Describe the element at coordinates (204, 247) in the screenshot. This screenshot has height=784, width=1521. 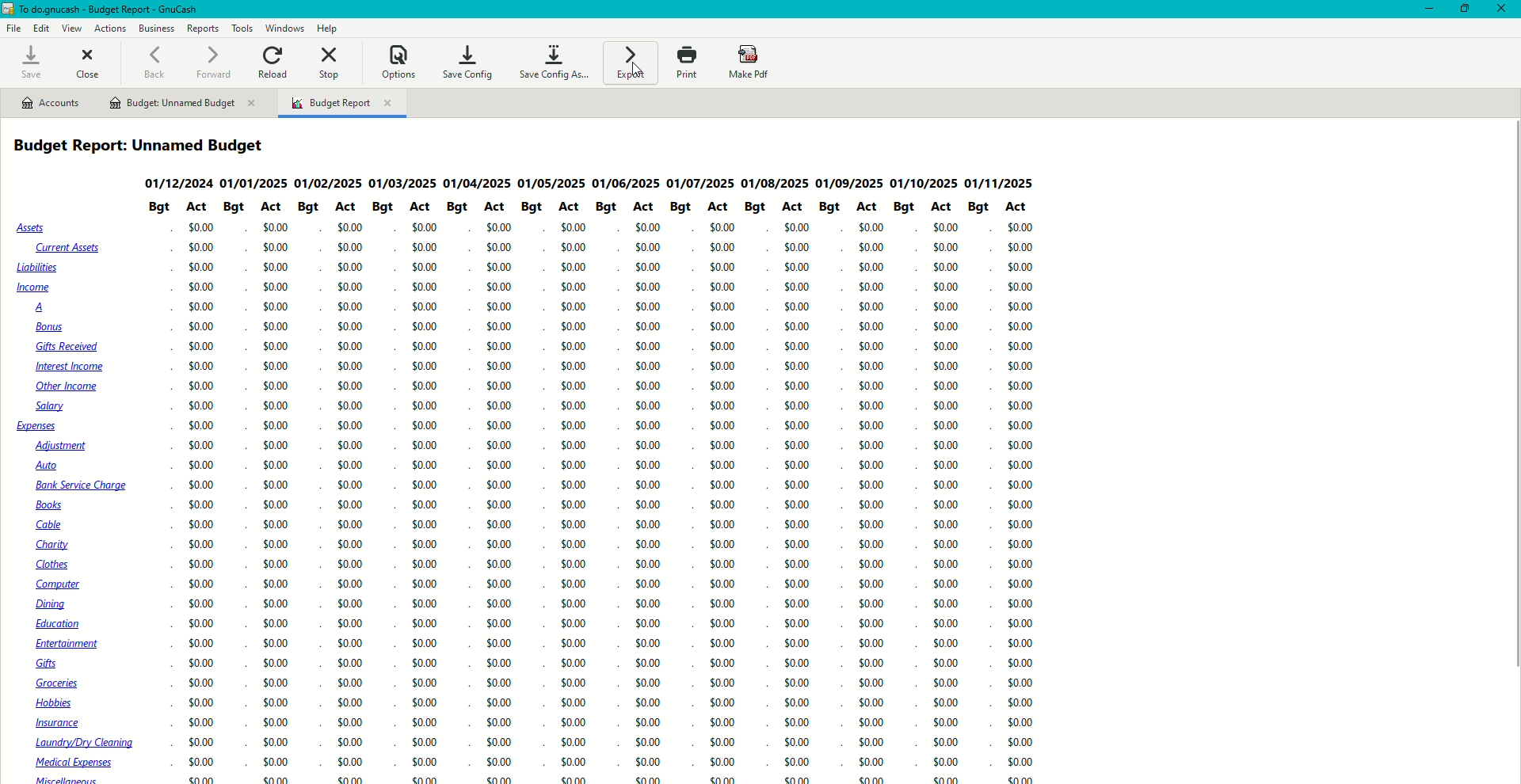
I see `0.00` at that location.